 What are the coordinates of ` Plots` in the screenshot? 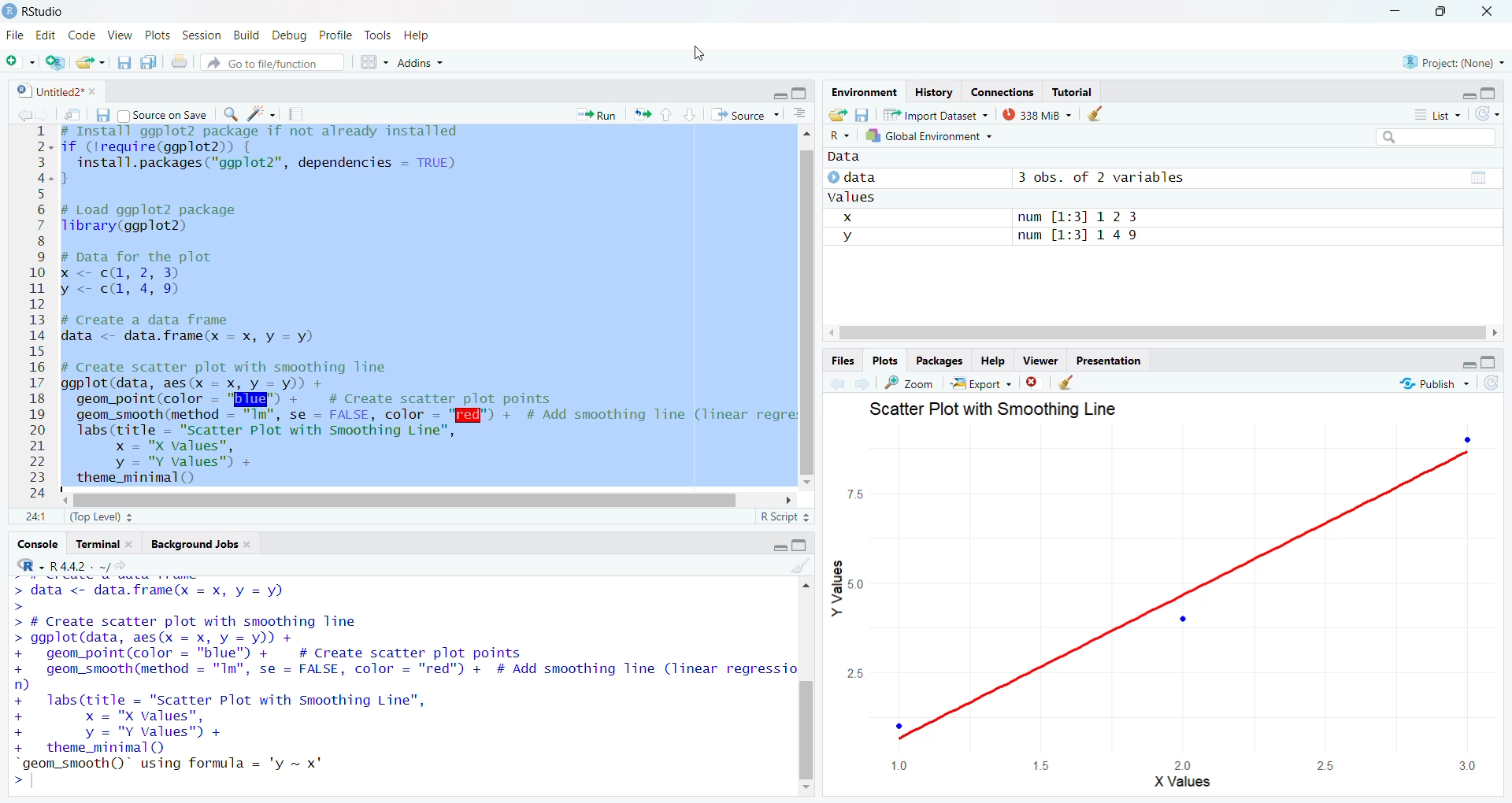 It's located at (155, 35).